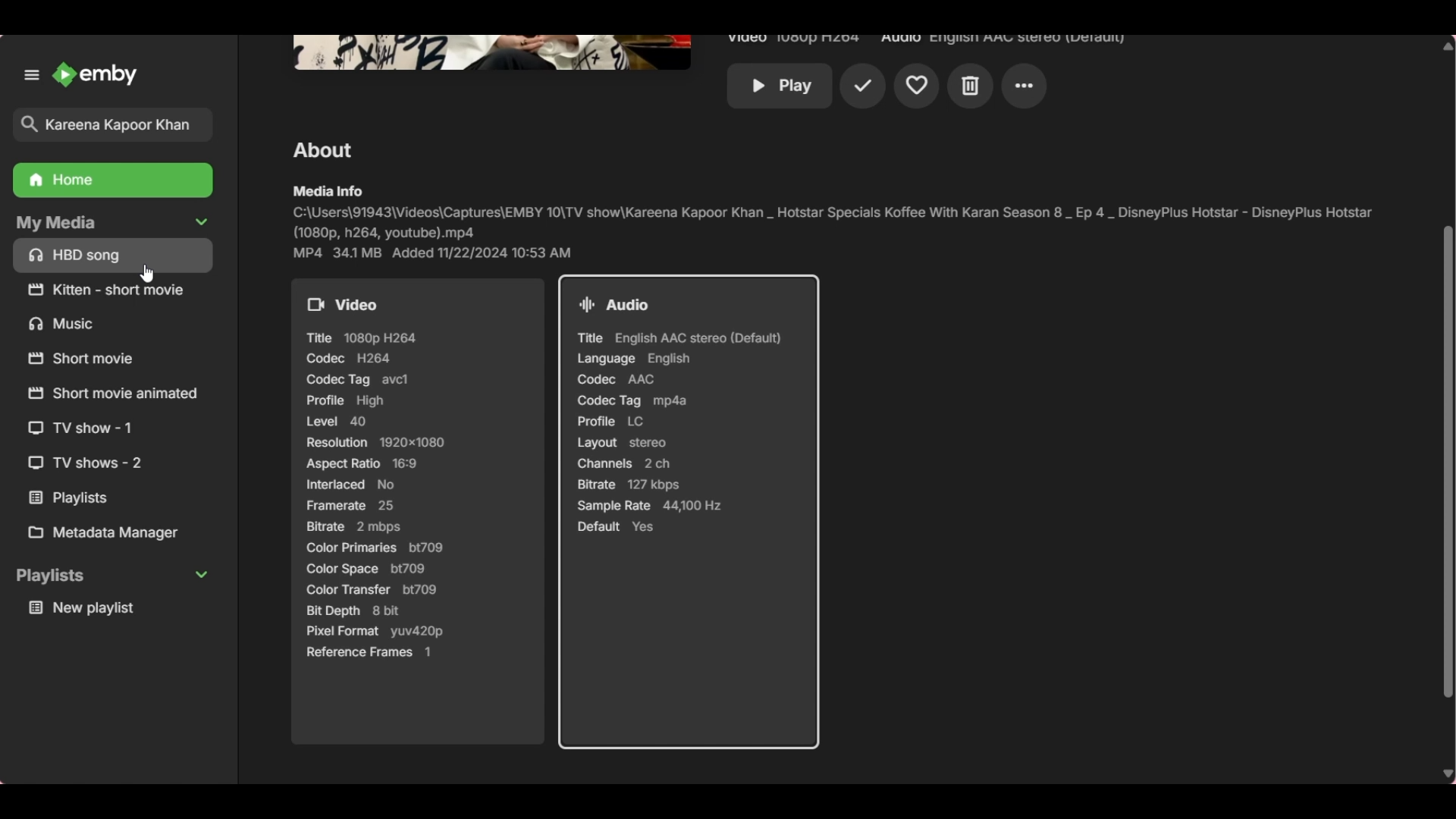  I want to click on Vertical slide bar moved down, so click(1448, 462).